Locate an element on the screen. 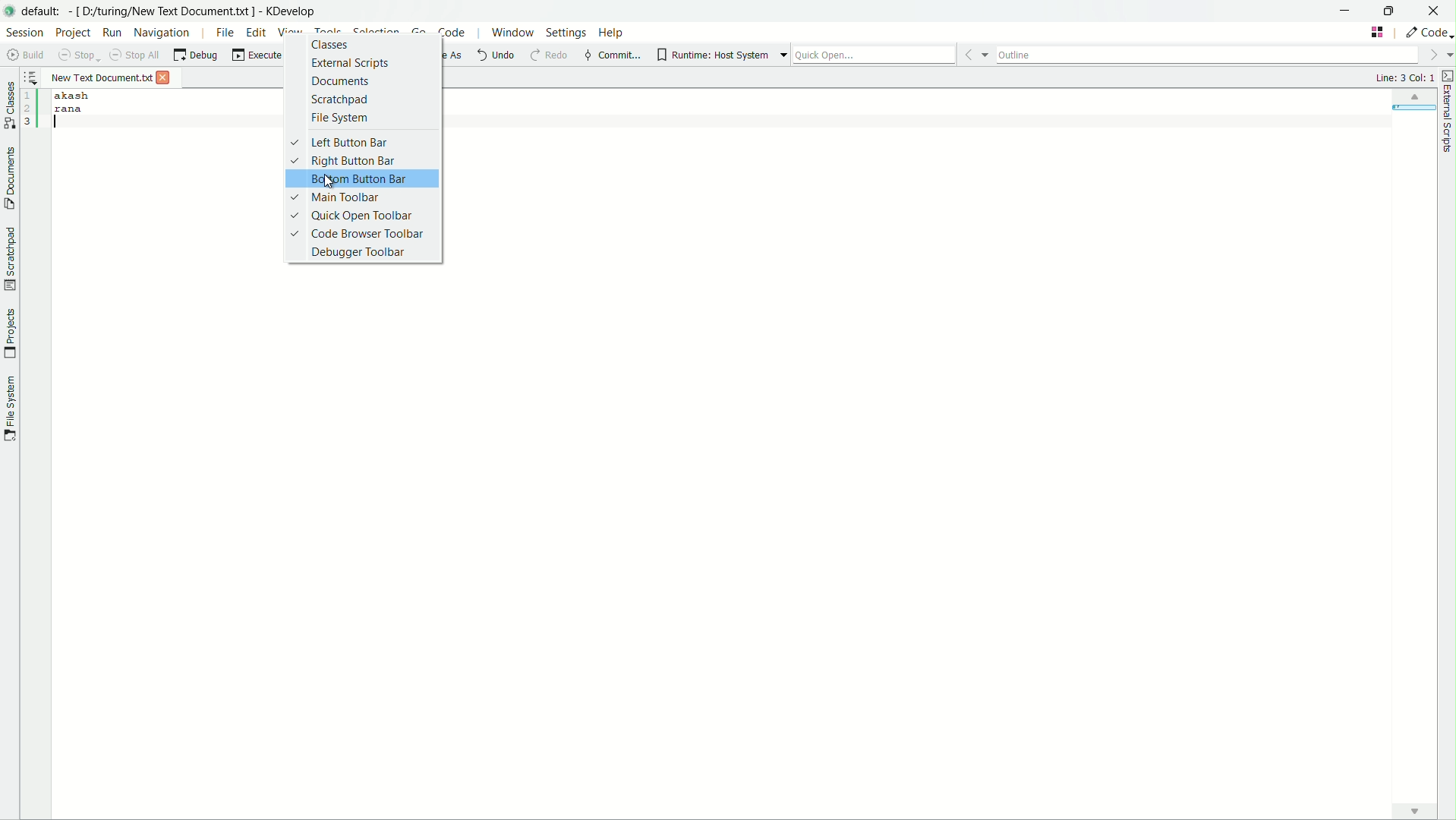 This screenshot has width=1456, height=820. build is located at coordinates (27, 55).